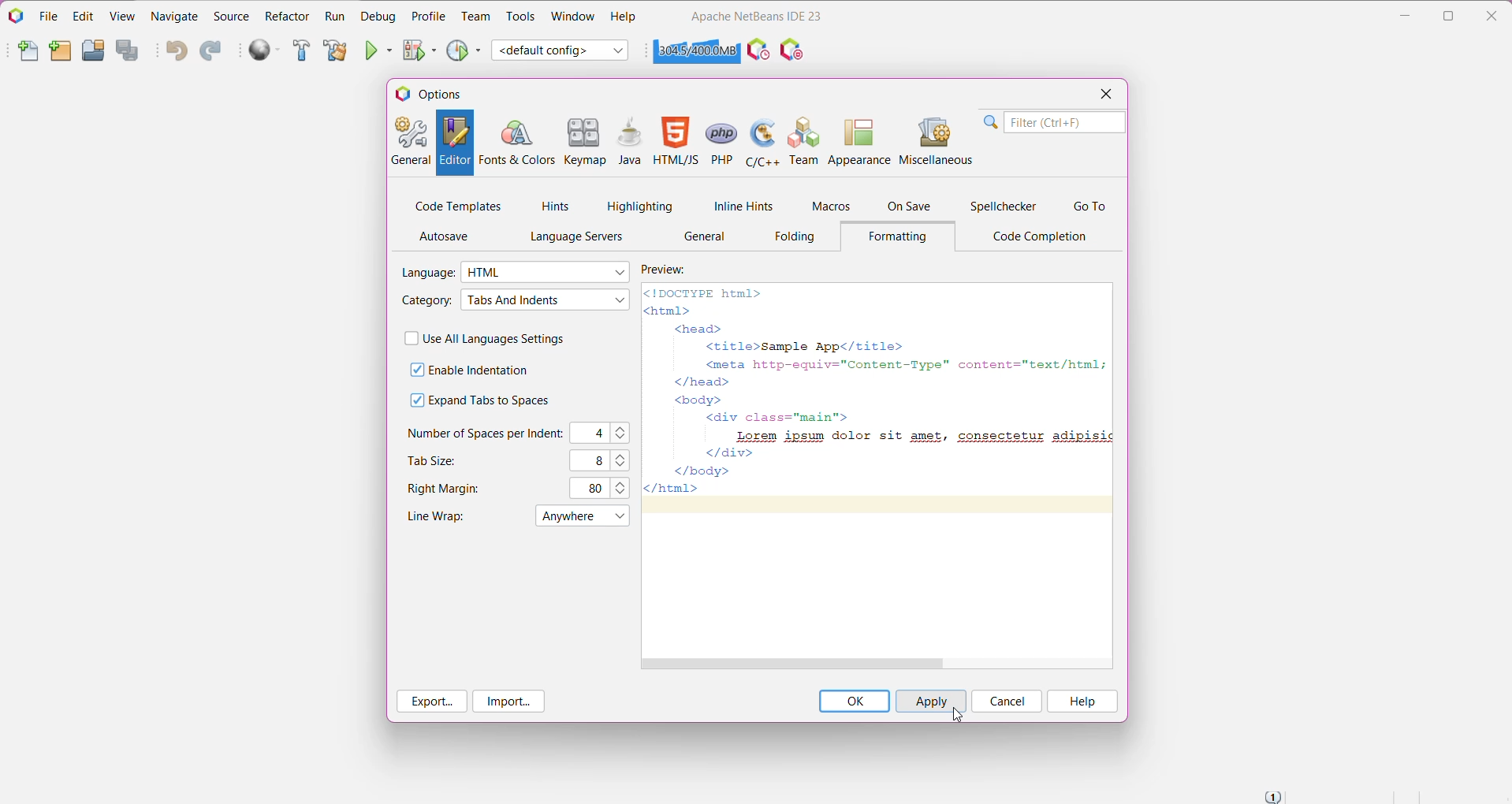  I want to click on Select required Category, so click(545, 300).